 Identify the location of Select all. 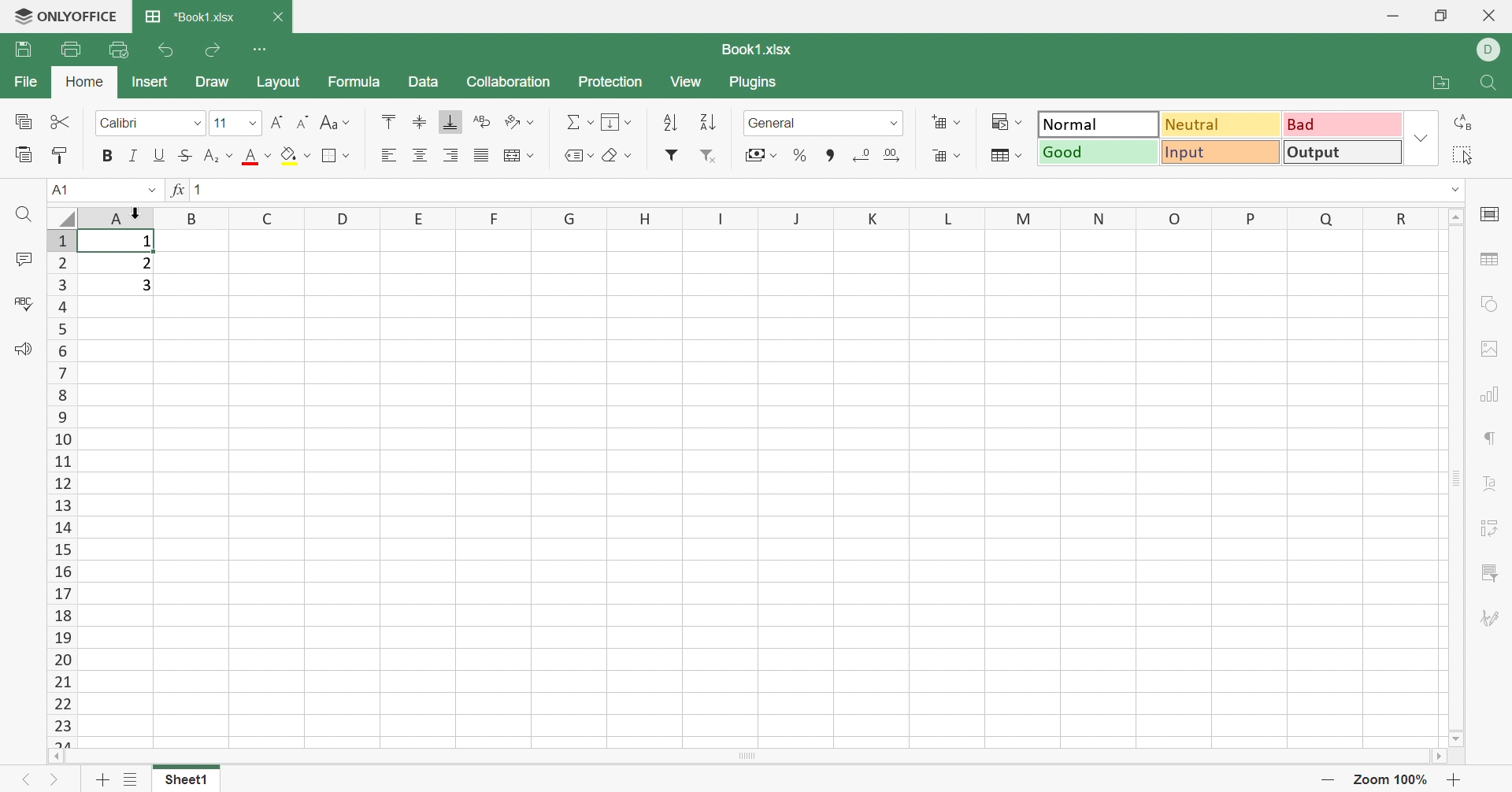
(1463, 154).